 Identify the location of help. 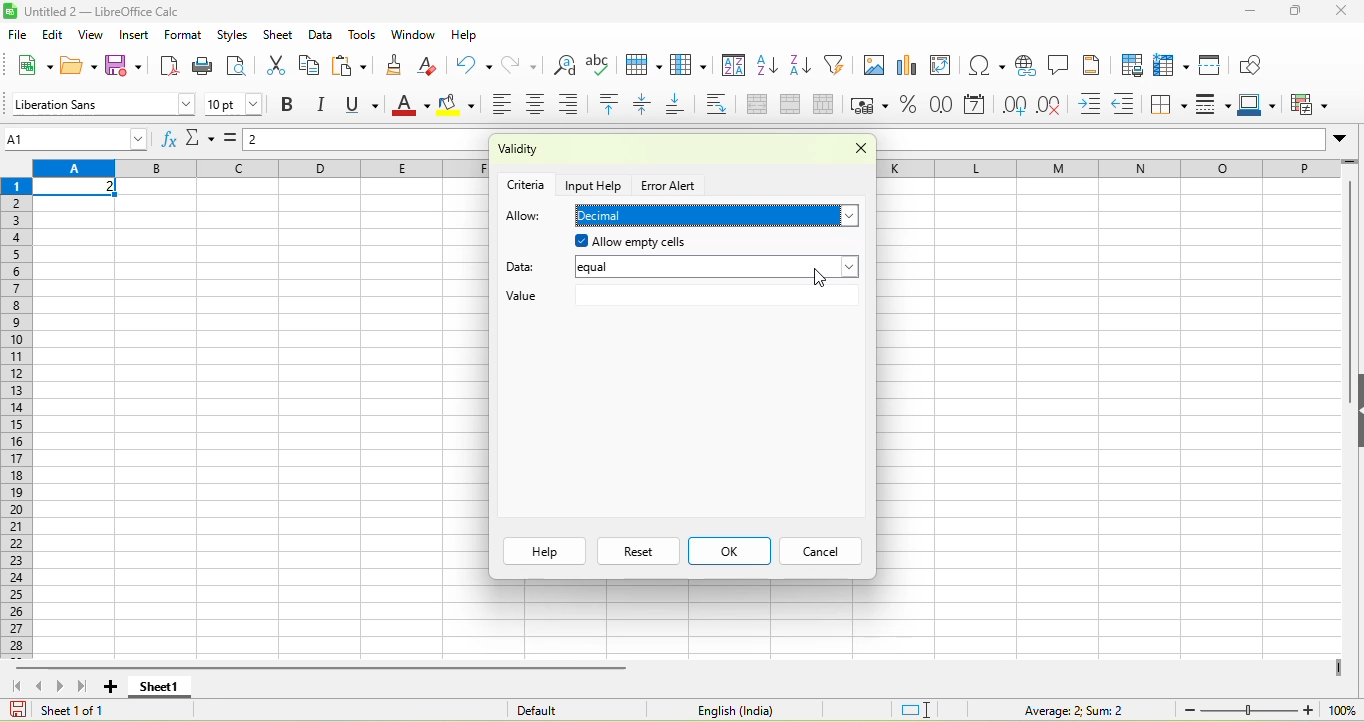
(544, 551).